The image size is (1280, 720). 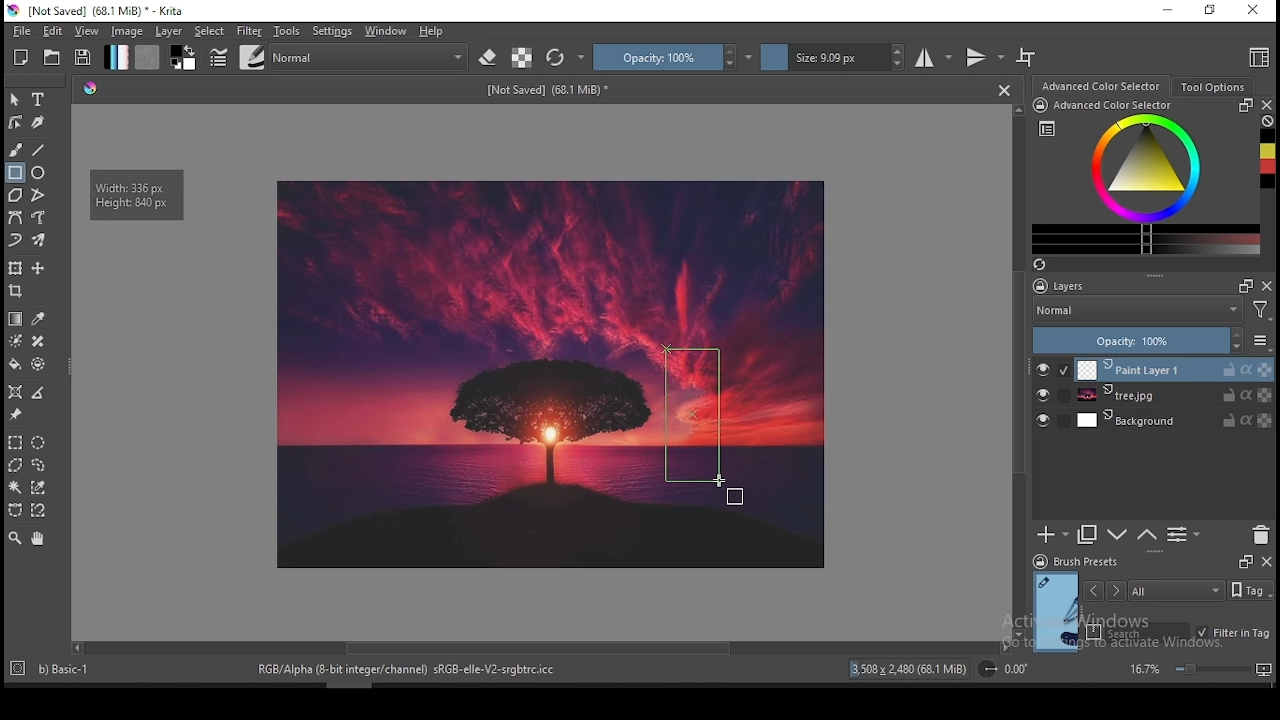 I want to click on b) Basic-1, so click(x=55, y=666).